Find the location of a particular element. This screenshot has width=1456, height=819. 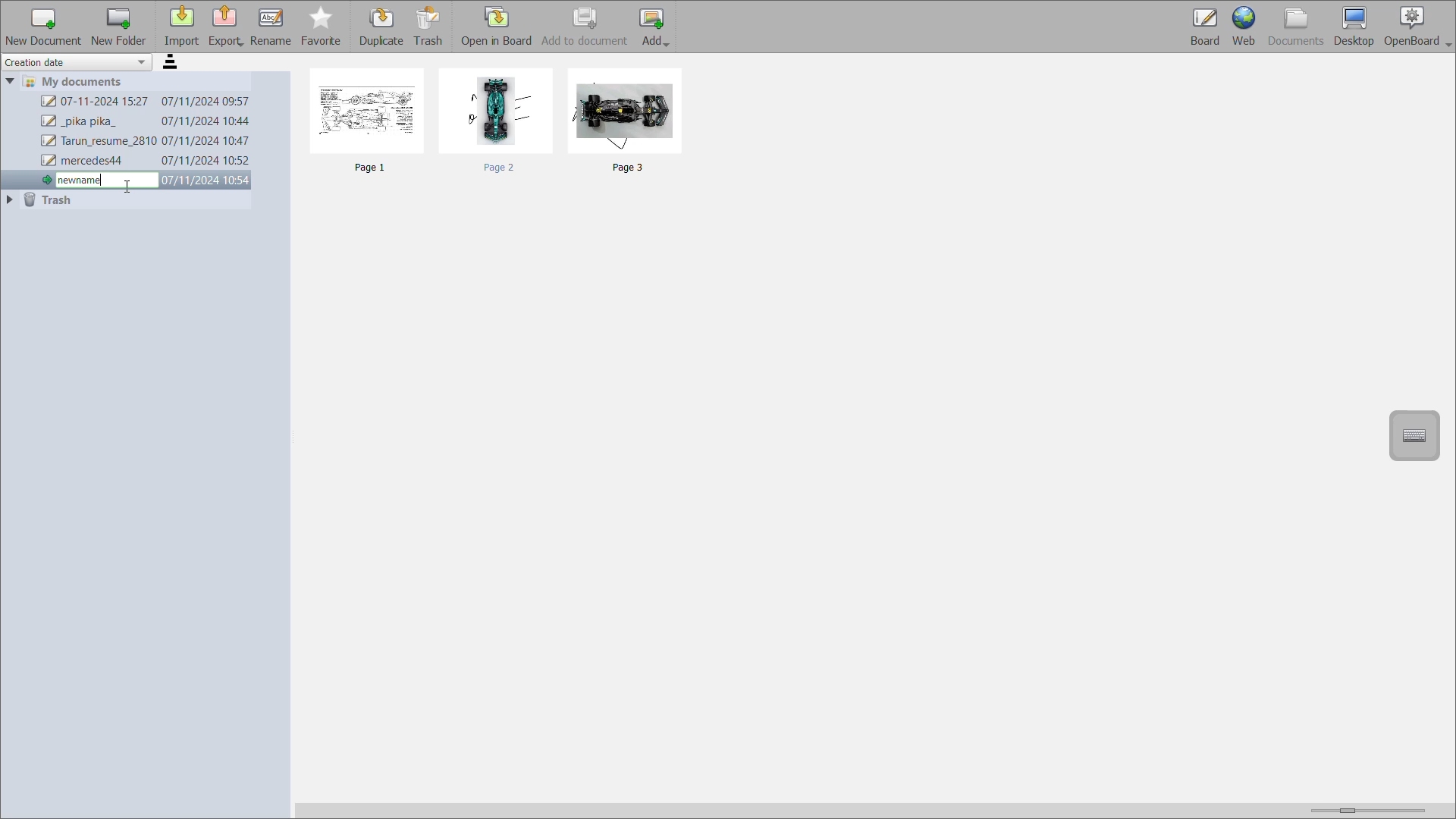

newname 07/11/2024 10:54 is located at coordinates (141, 179).